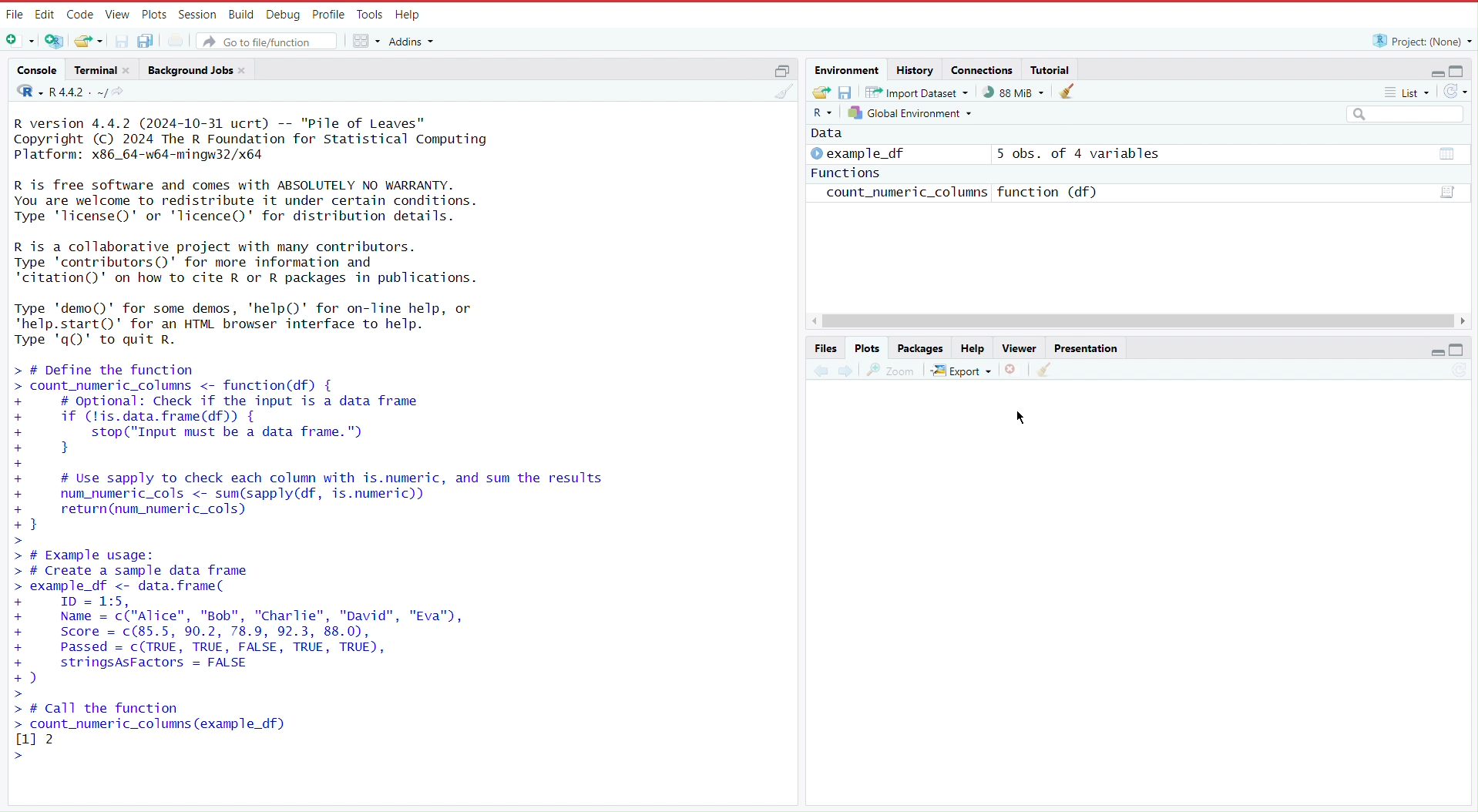 This screenshot has width=1478, height=812. I want to click on Terminal, so click(102, 70).